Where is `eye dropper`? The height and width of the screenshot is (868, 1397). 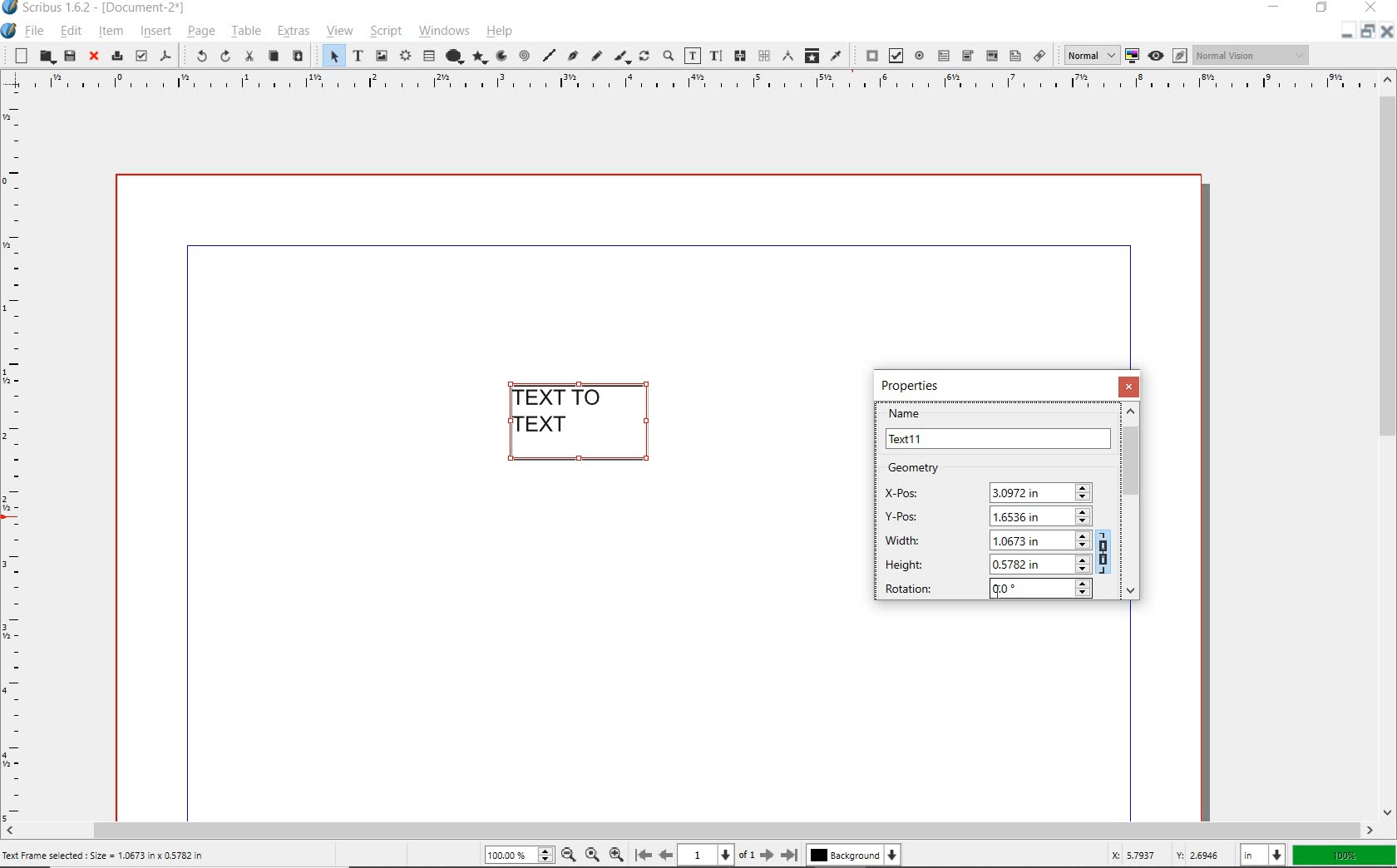
eye dropper is located at coordinates (838, 57).